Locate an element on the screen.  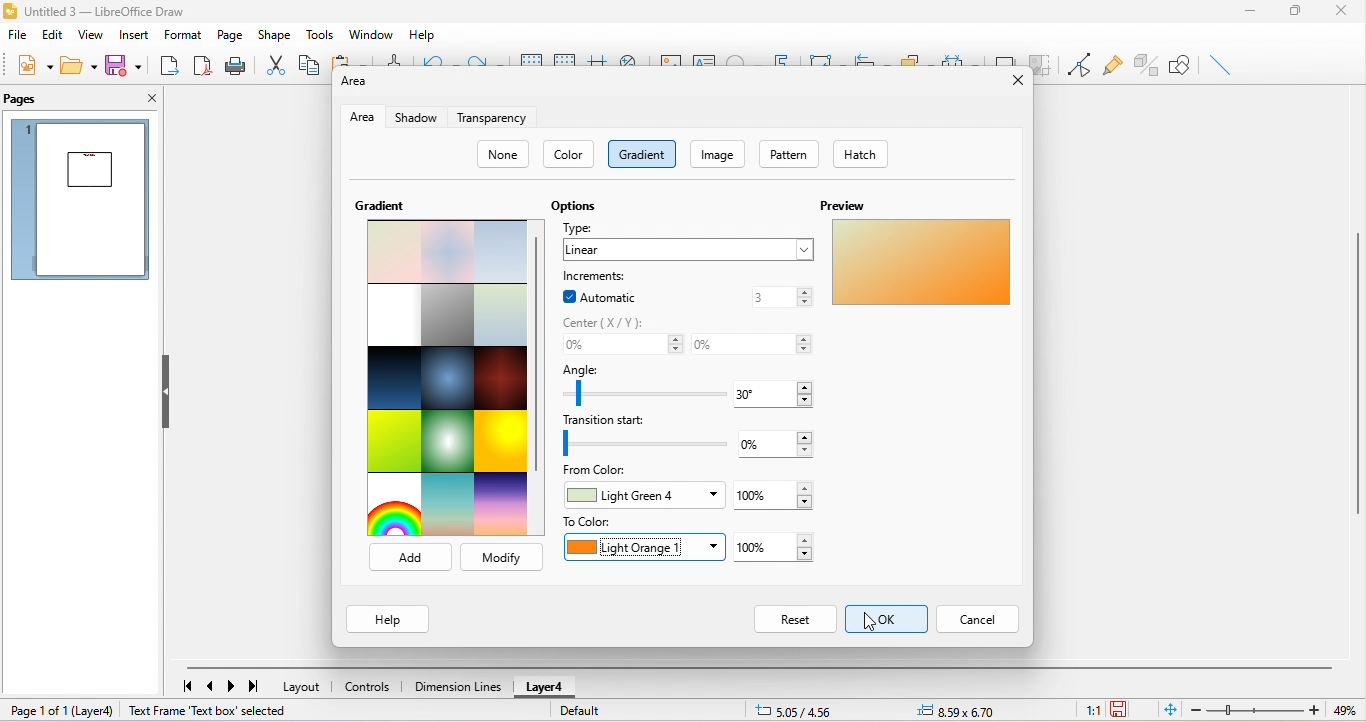
transition start is located at coordinates (614, 419).